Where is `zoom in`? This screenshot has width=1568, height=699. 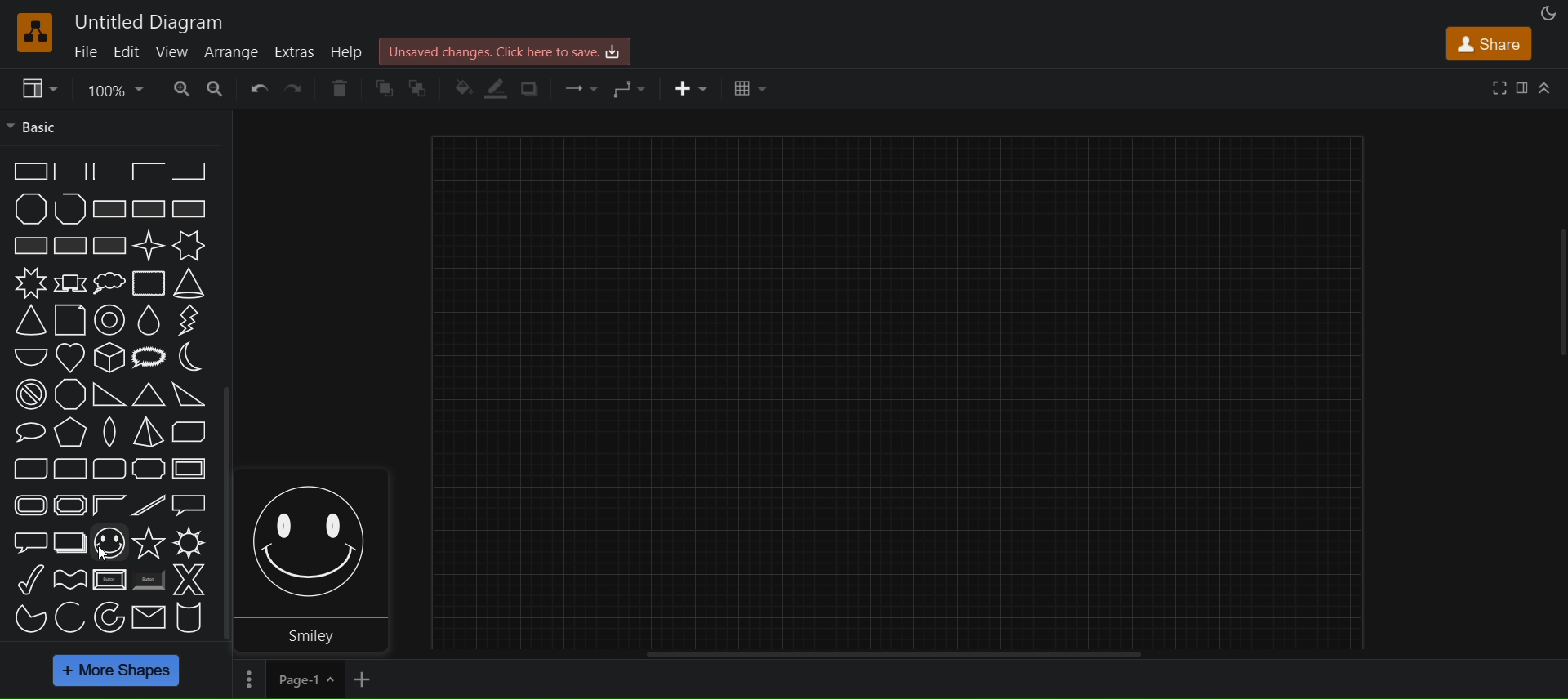 zoom in is located at coordinates (179, 86).